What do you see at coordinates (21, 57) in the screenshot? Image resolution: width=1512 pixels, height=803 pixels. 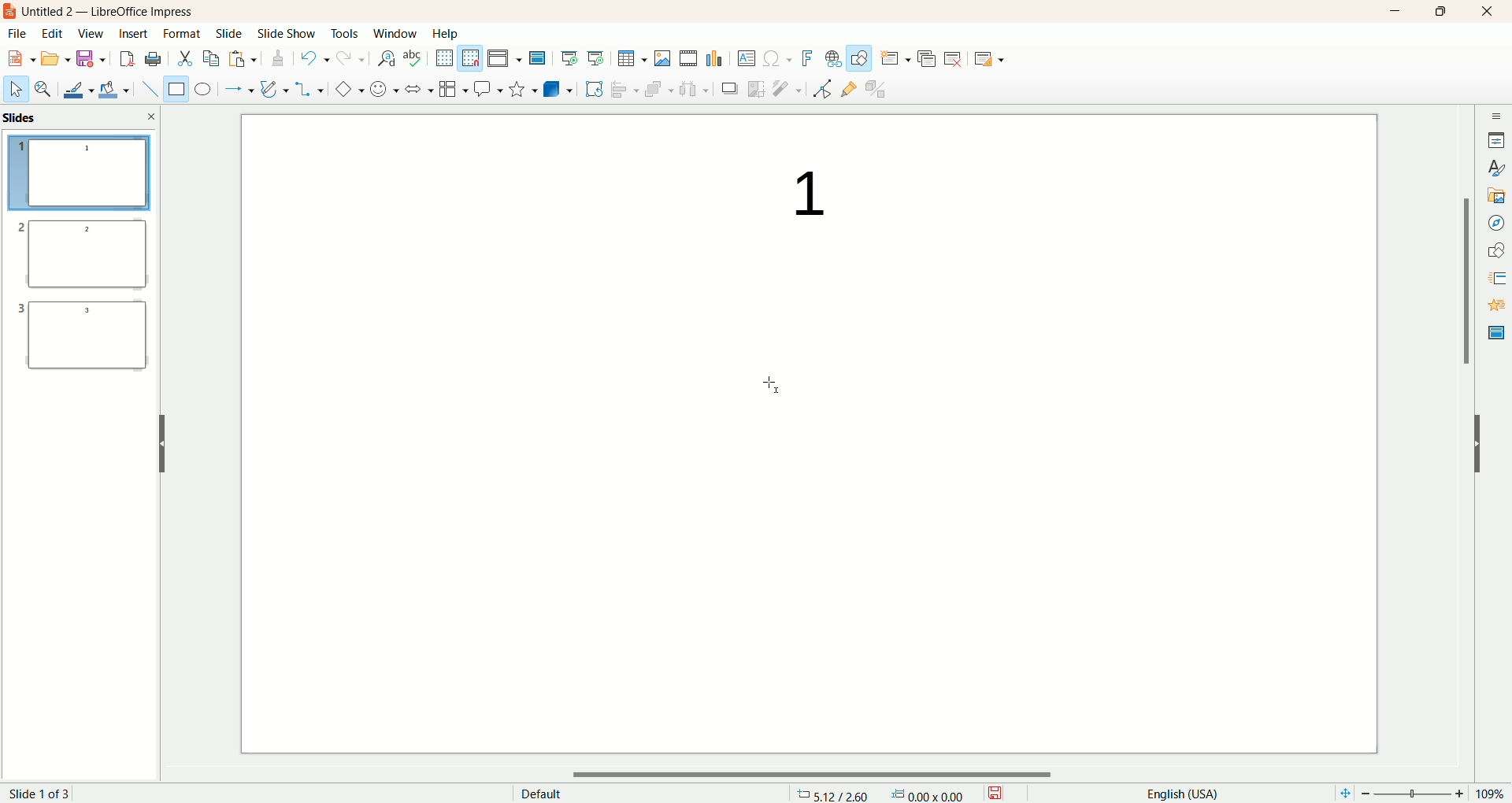 I see `new` at bounding box center [21, 57].